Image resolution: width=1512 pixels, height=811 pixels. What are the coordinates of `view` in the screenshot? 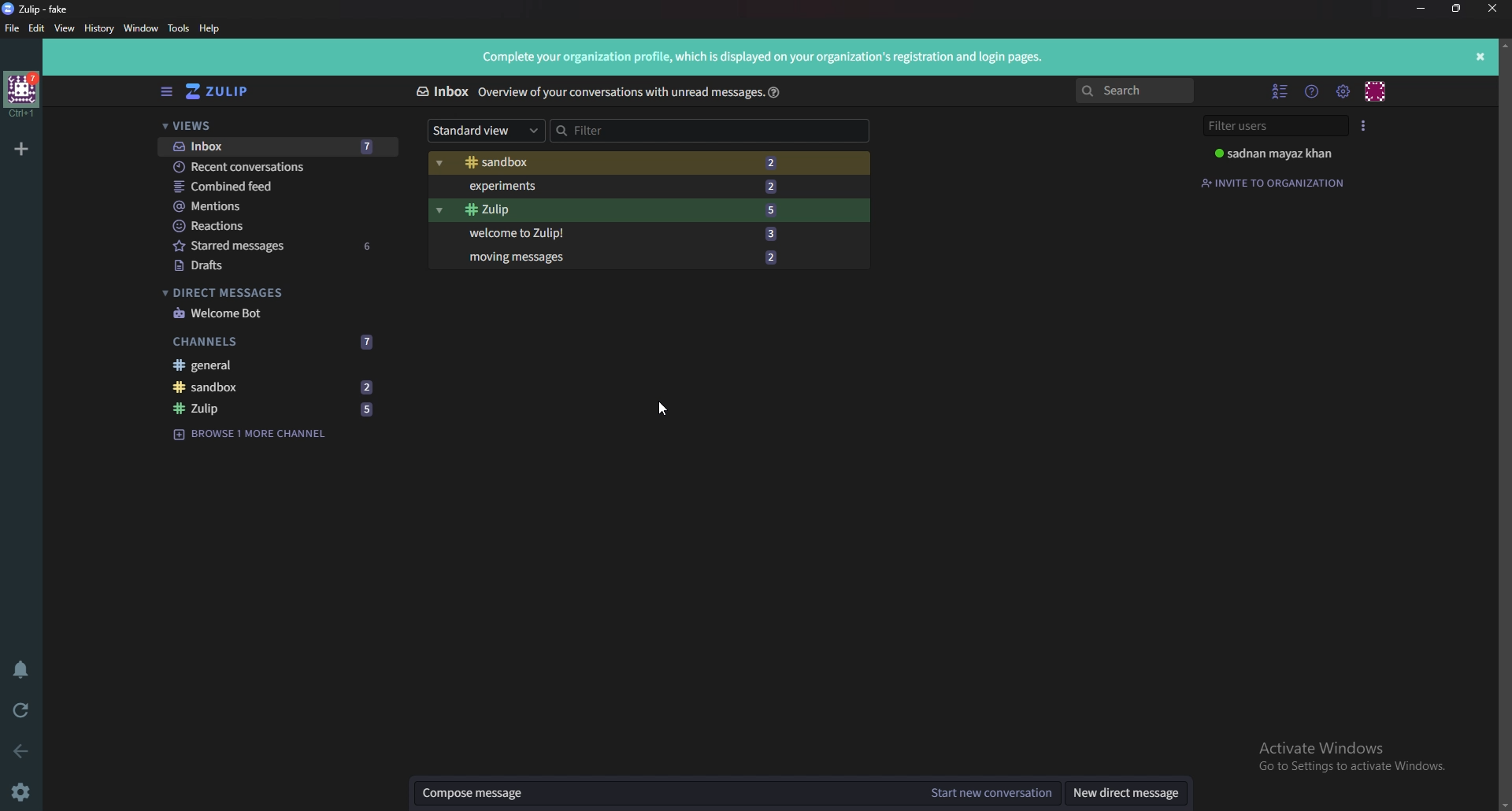 It's located at (65, 28).